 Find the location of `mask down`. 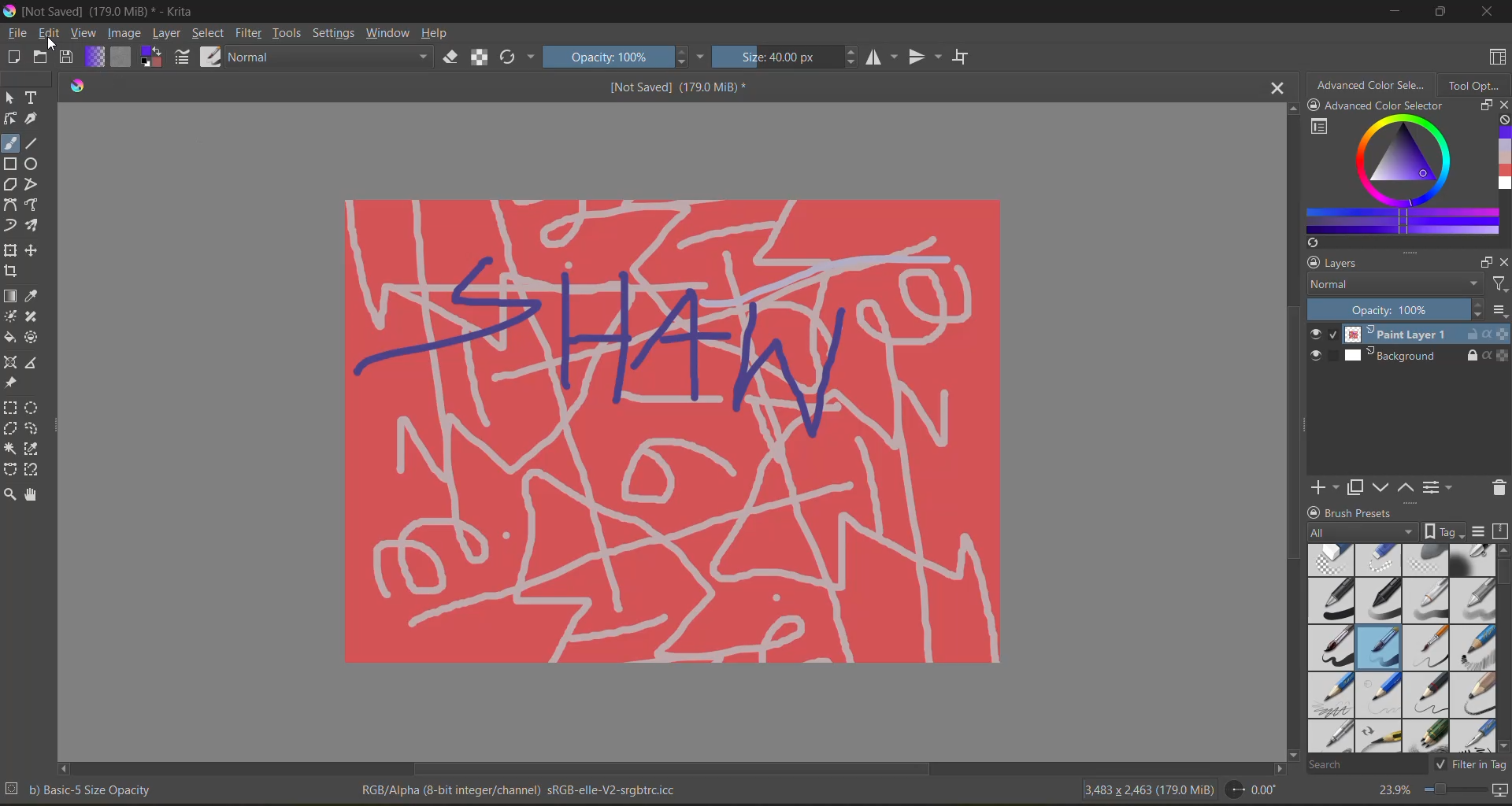

mask down is located at coordinates (1384, 487).